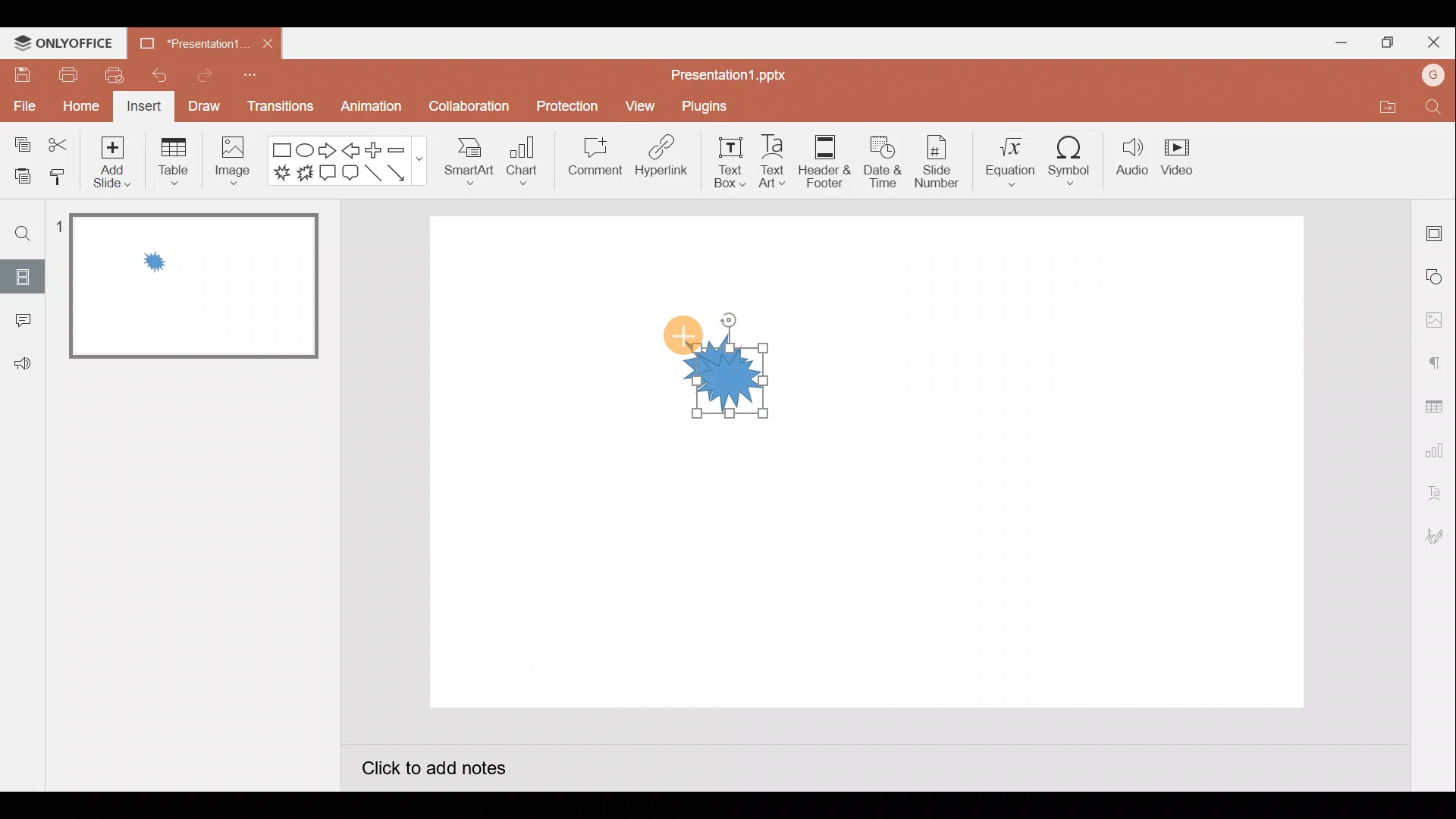 The height and width of the screenshot is (819, 1456). I want to click on Click to add notes, so click(434, 765).